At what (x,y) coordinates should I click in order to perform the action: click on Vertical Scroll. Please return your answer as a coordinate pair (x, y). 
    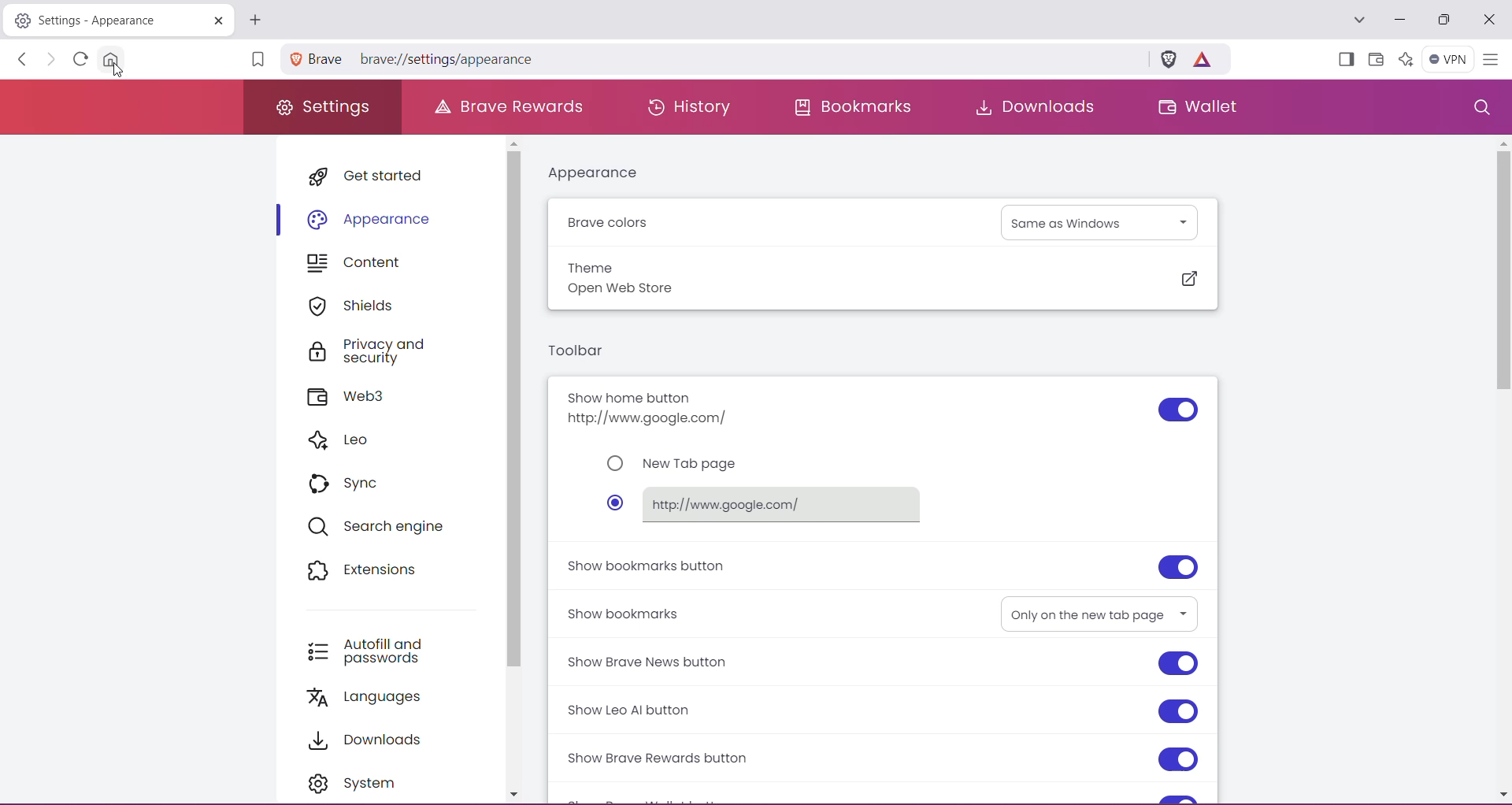
    Looking at the image, I should click on (515, 472).